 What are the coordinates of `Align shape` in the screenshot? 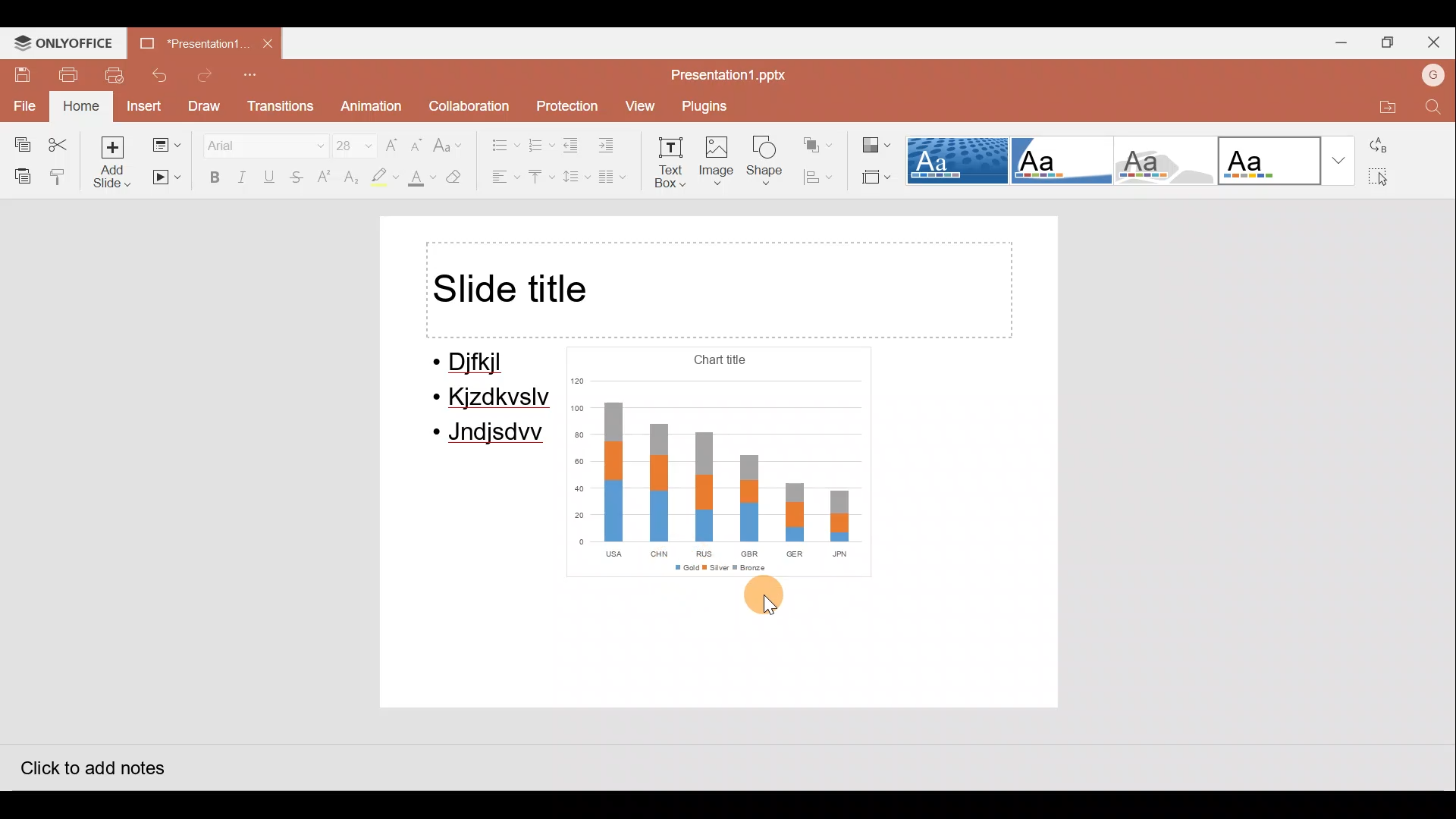 It's located at (822, 177).